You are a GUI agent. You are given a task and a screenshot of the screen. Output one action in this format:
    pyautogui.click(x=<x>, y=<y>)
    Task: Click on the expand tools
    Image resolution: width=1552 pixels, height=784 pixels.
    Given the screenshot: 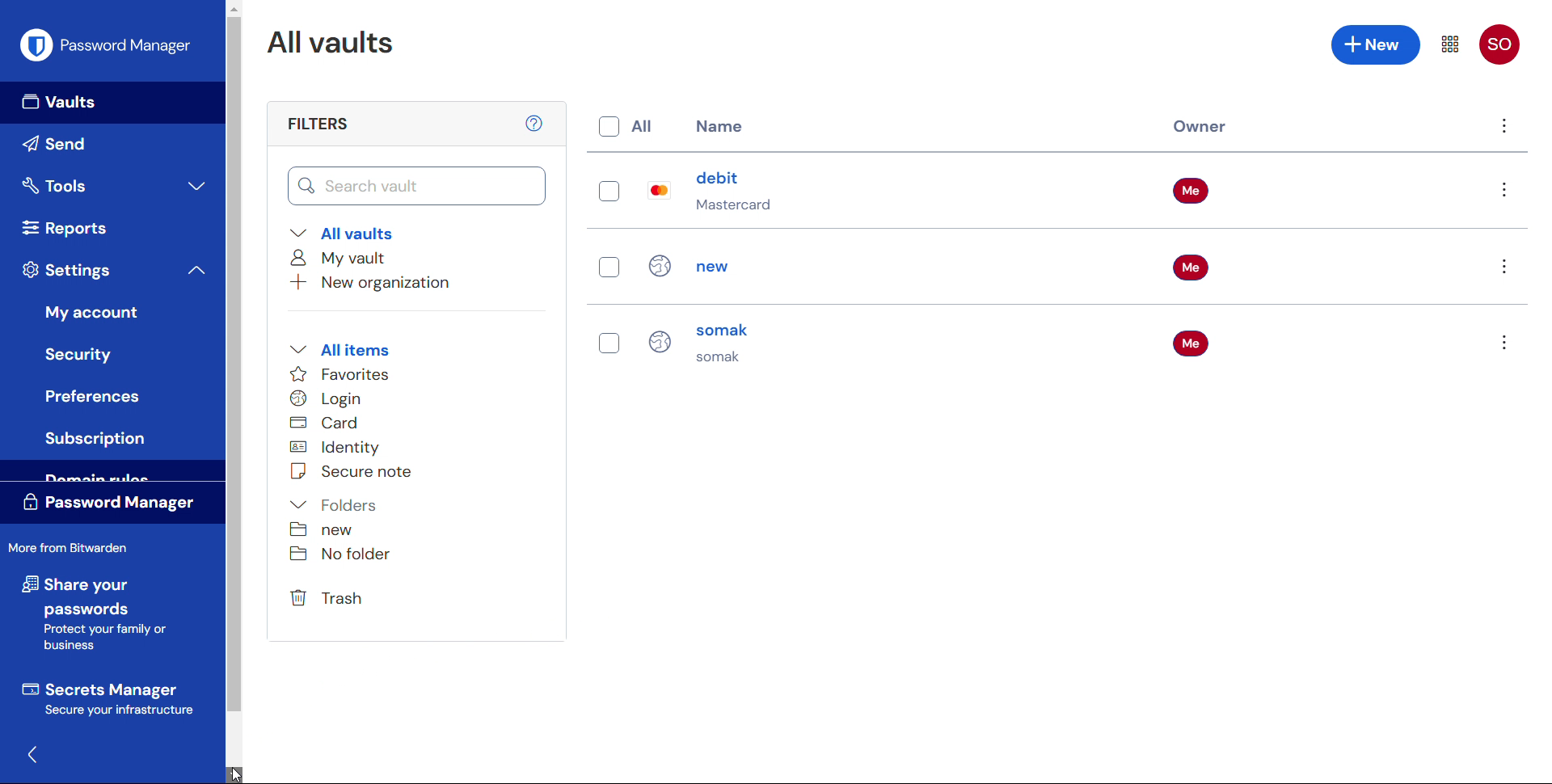 What is the action you would take?
    pyautogui.click(x=199, y=183)
    